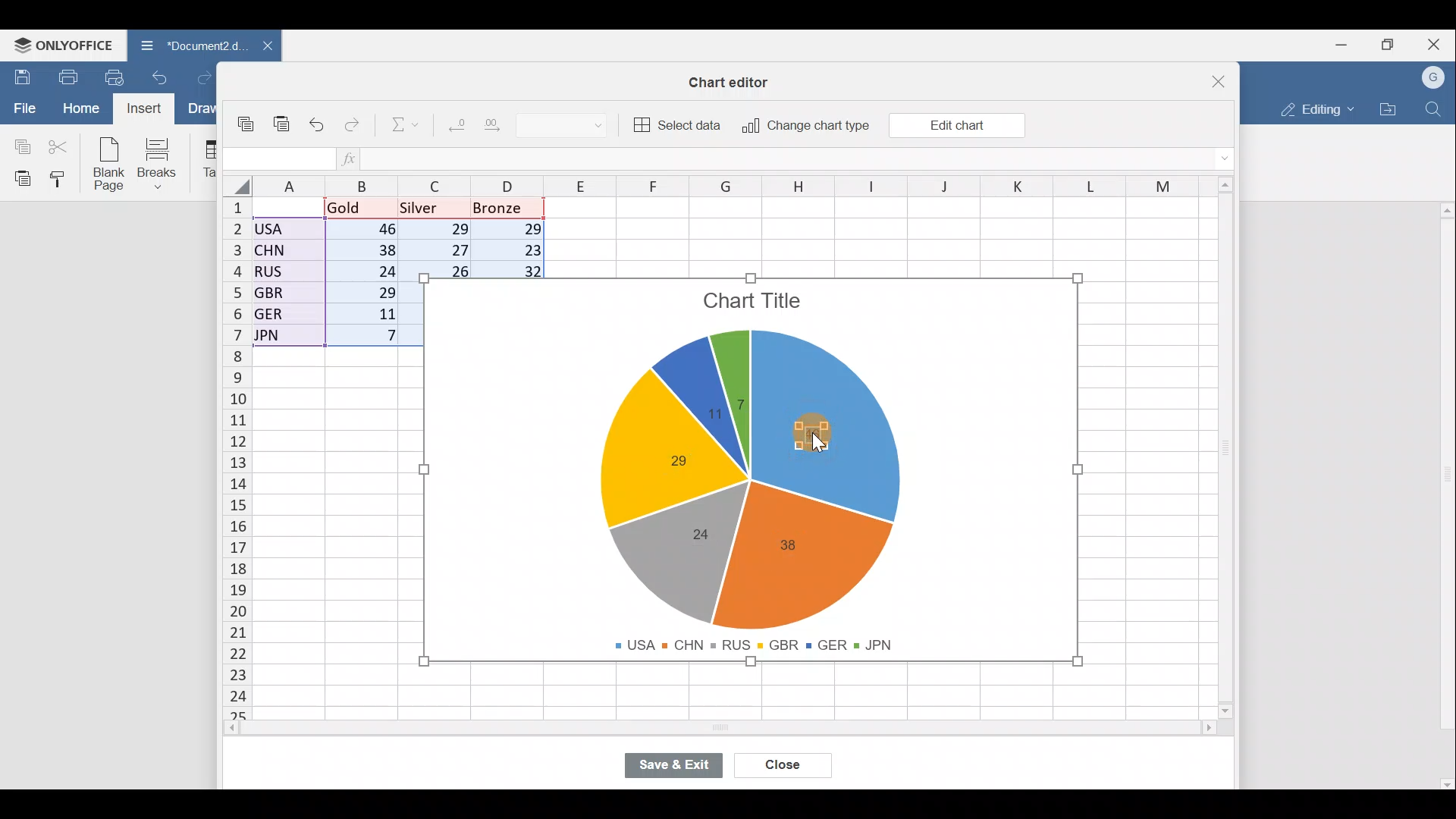 The image size is (1456, 819). What do you see at coordinates (965, 127) in the screenshot?
I see `Cursor on Edit chart` at bounding box center [965, 127].